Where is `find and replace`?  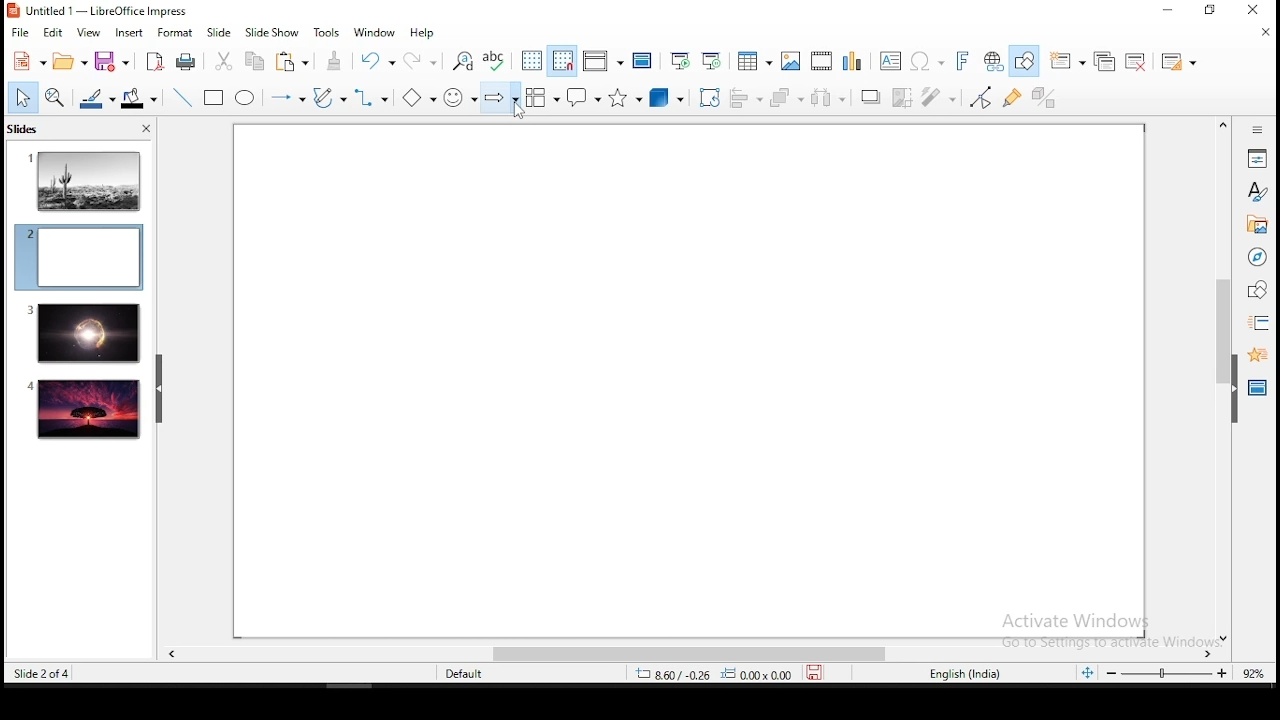 find and replace is located at coordinates (462, 59).